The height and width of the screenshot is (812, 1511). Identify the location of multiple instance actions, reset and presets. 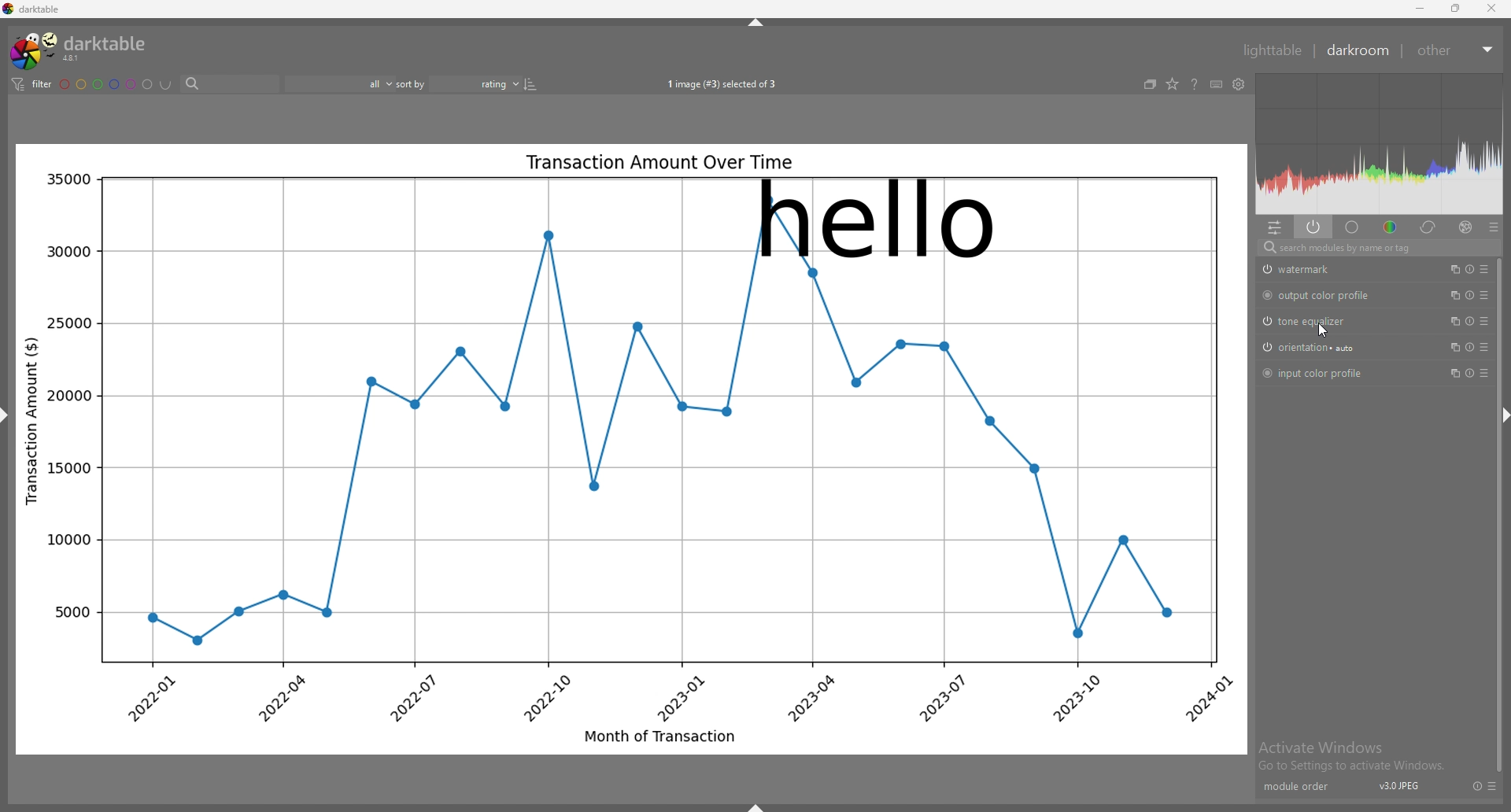
(1469, 268).